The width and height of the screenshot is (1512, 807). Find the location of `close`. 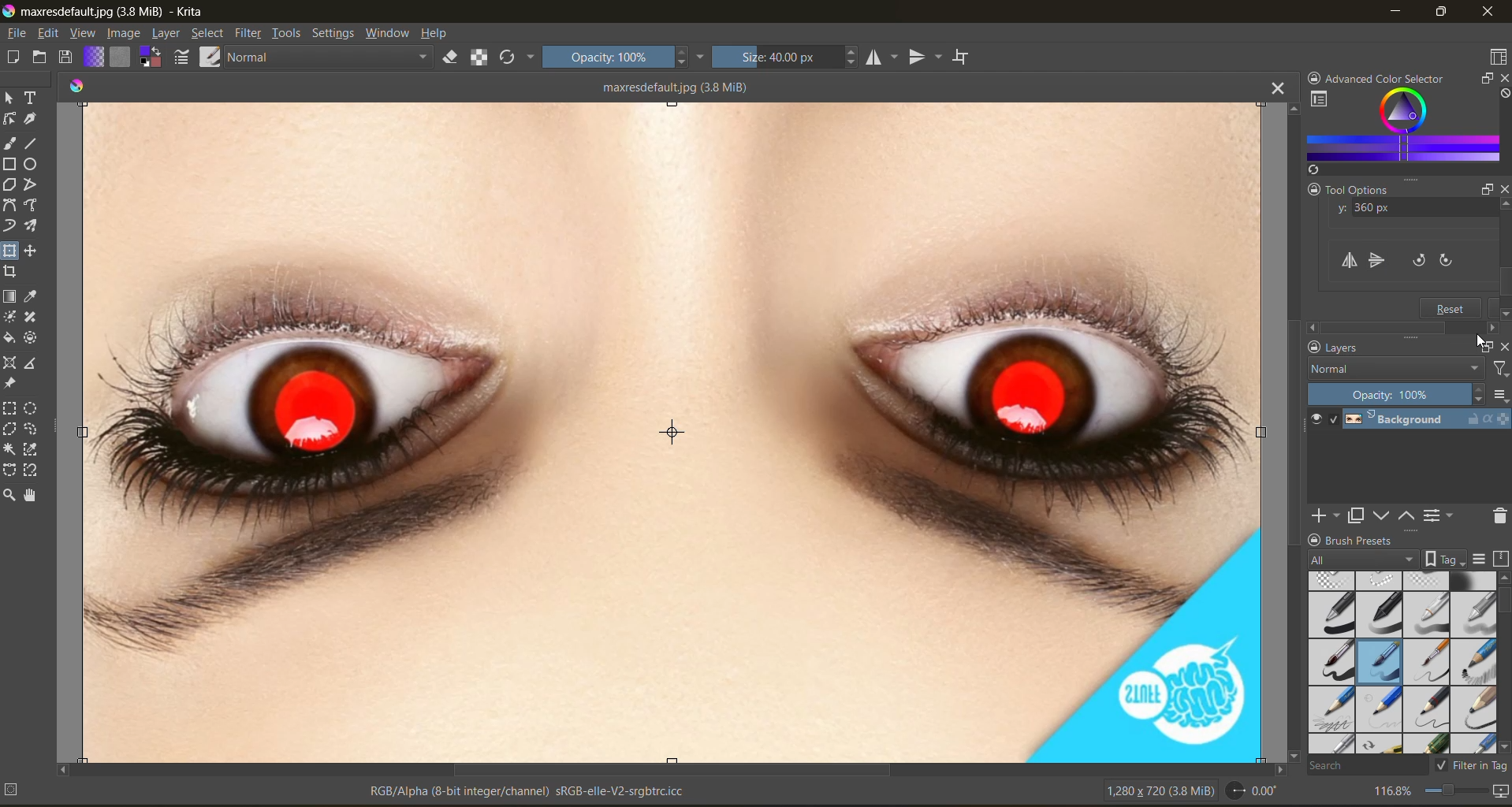

close is located at coordinates (1489, 12).